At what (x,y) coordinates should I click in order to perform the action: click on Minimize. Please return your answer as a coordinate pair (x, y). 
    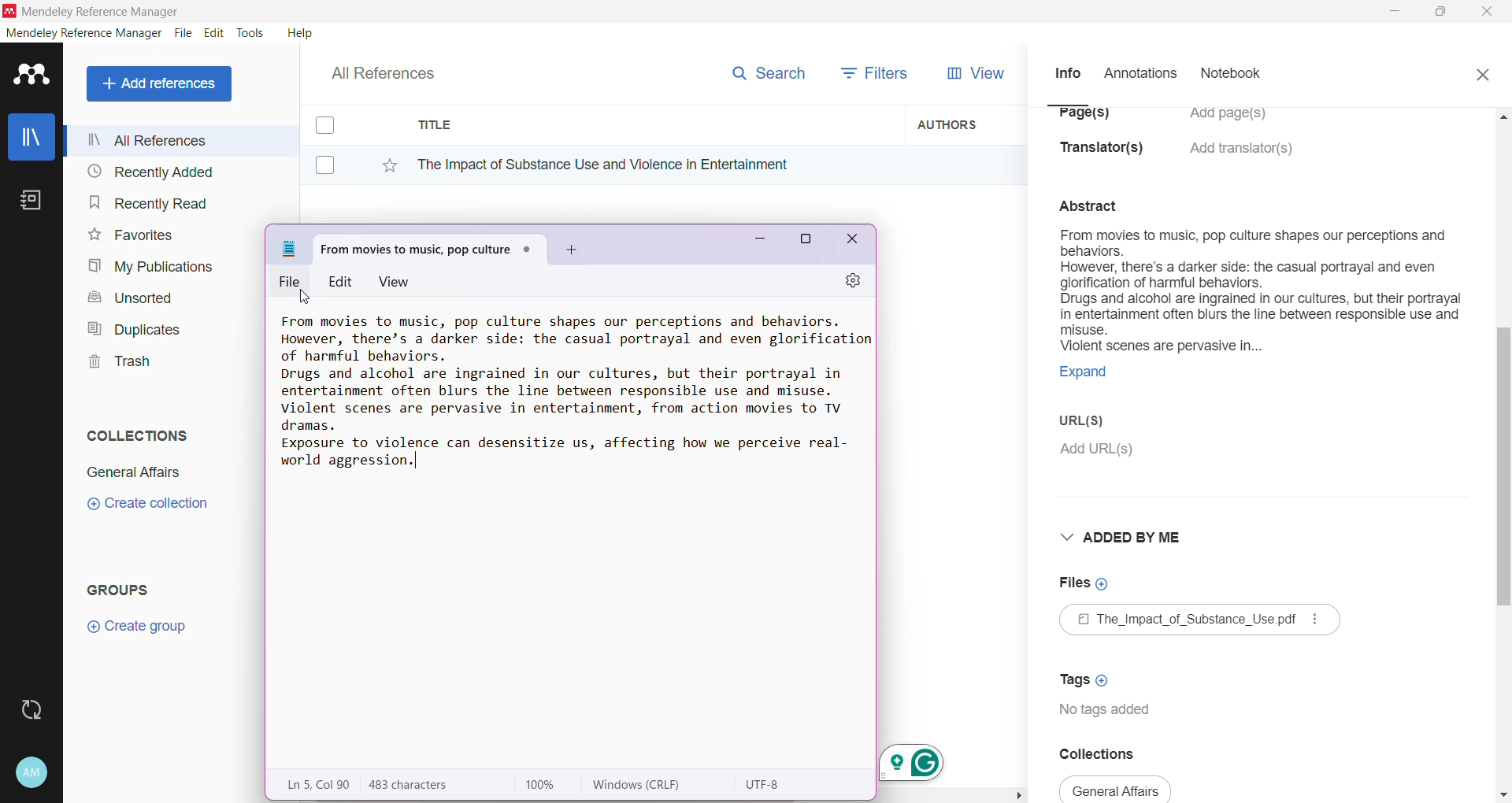
    Looking at the image, I should click on (754, 243).